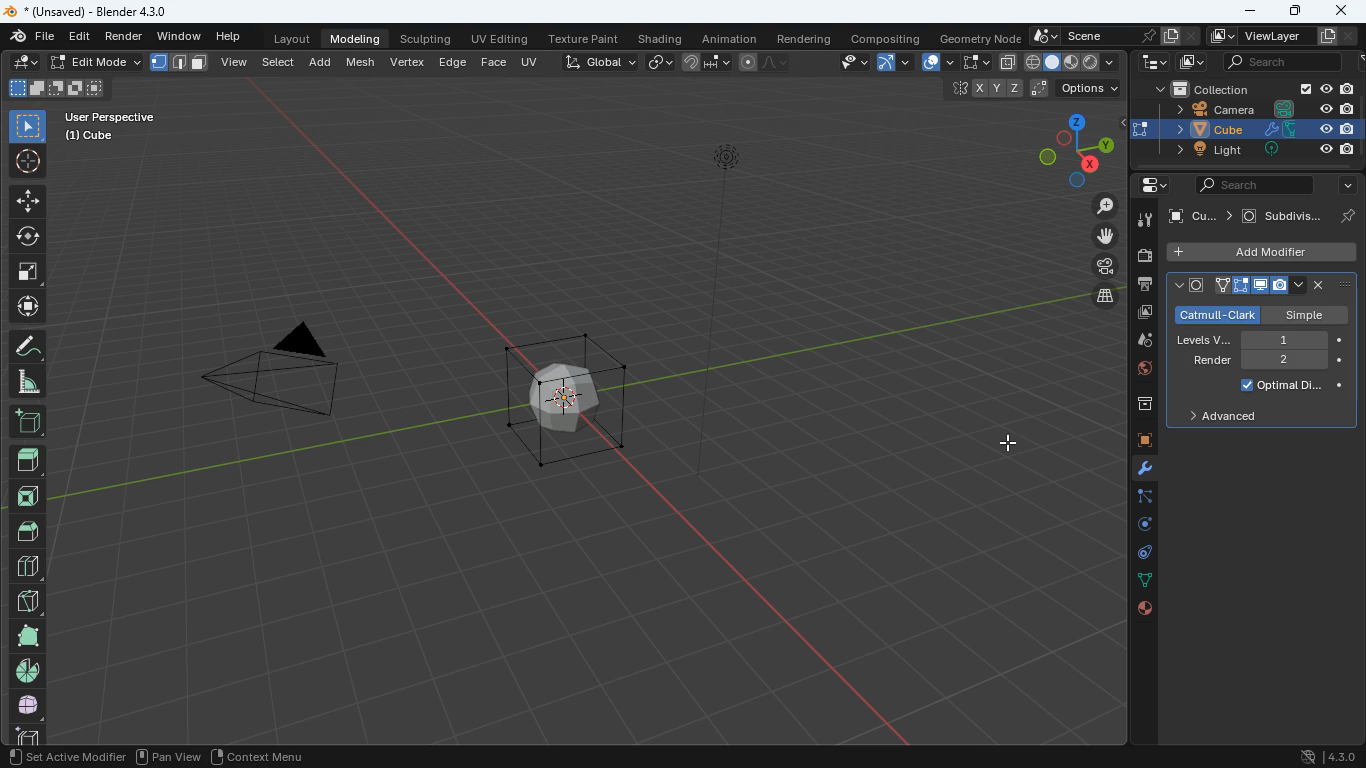 The image size is (1366, 768). I want to click on images, so click(1140, 314).